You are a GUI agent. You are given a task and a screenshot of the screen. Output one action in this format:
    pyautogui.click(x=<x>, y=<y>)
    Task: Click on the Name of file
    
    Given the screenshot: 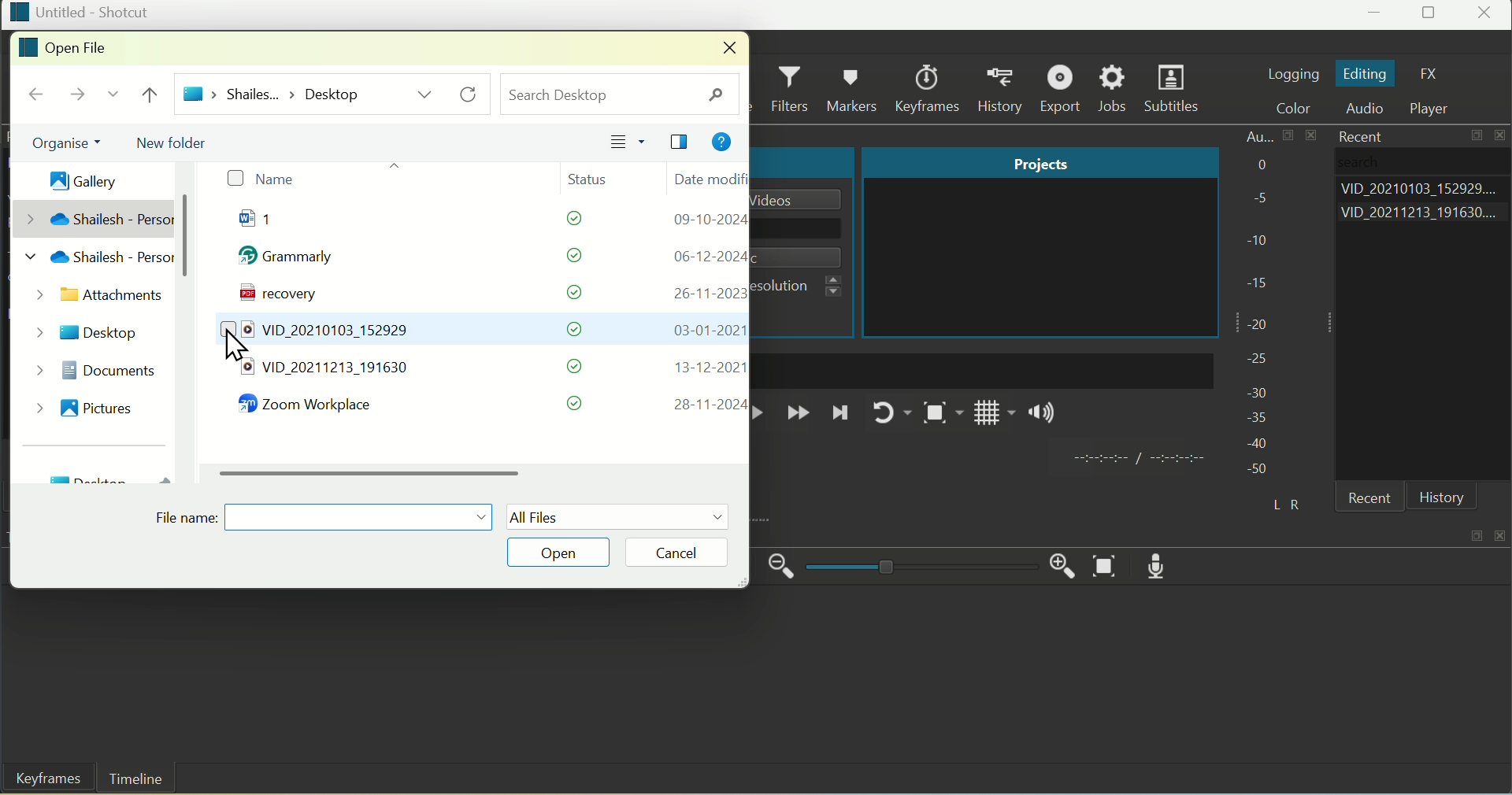 What is the action you would take?
    pyautogui.click(x=802, y=199)
    